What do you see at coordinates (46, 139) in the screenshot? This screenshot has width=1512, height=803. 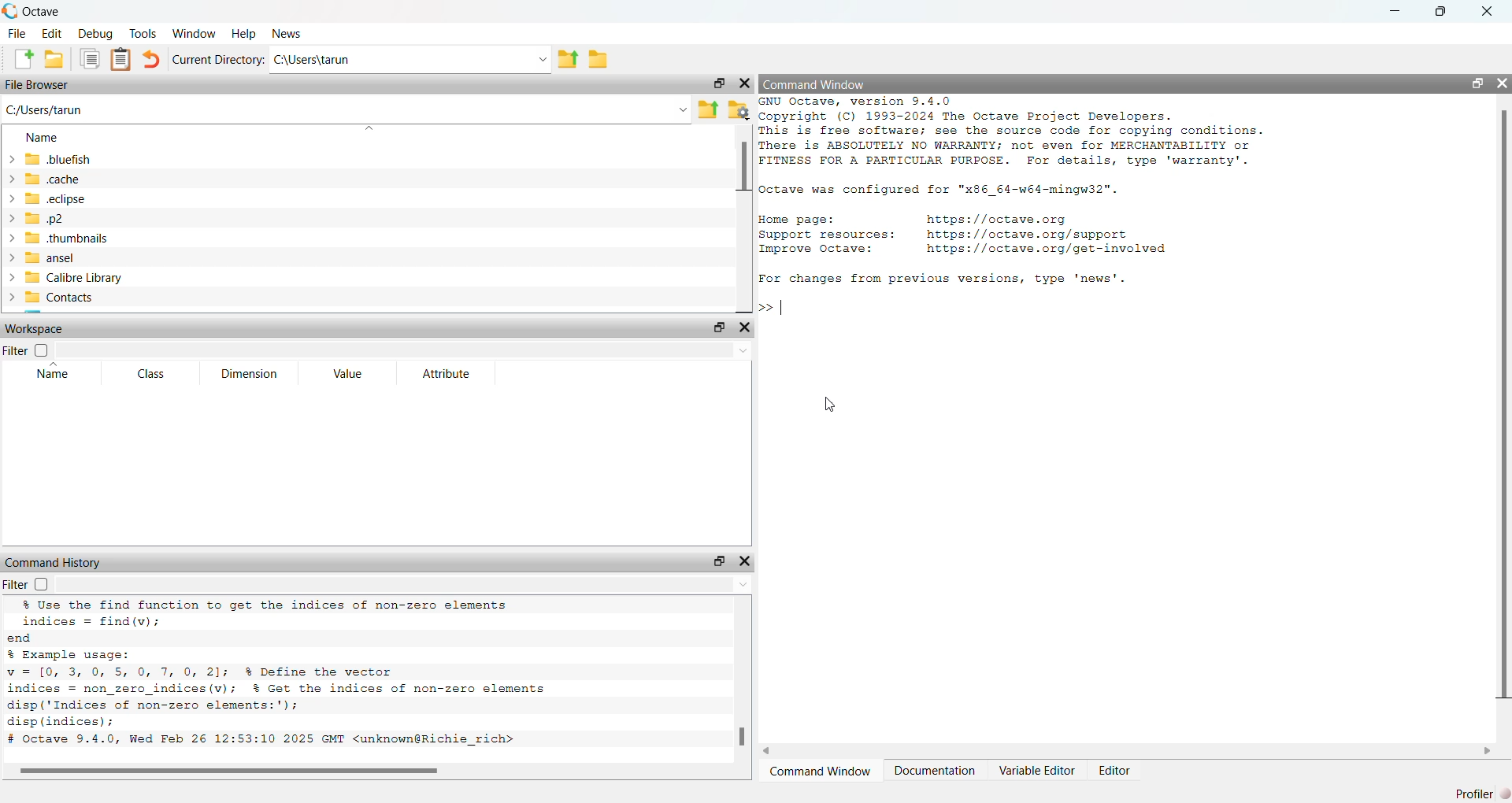 I see `Name` at bounding box center [46, 139].